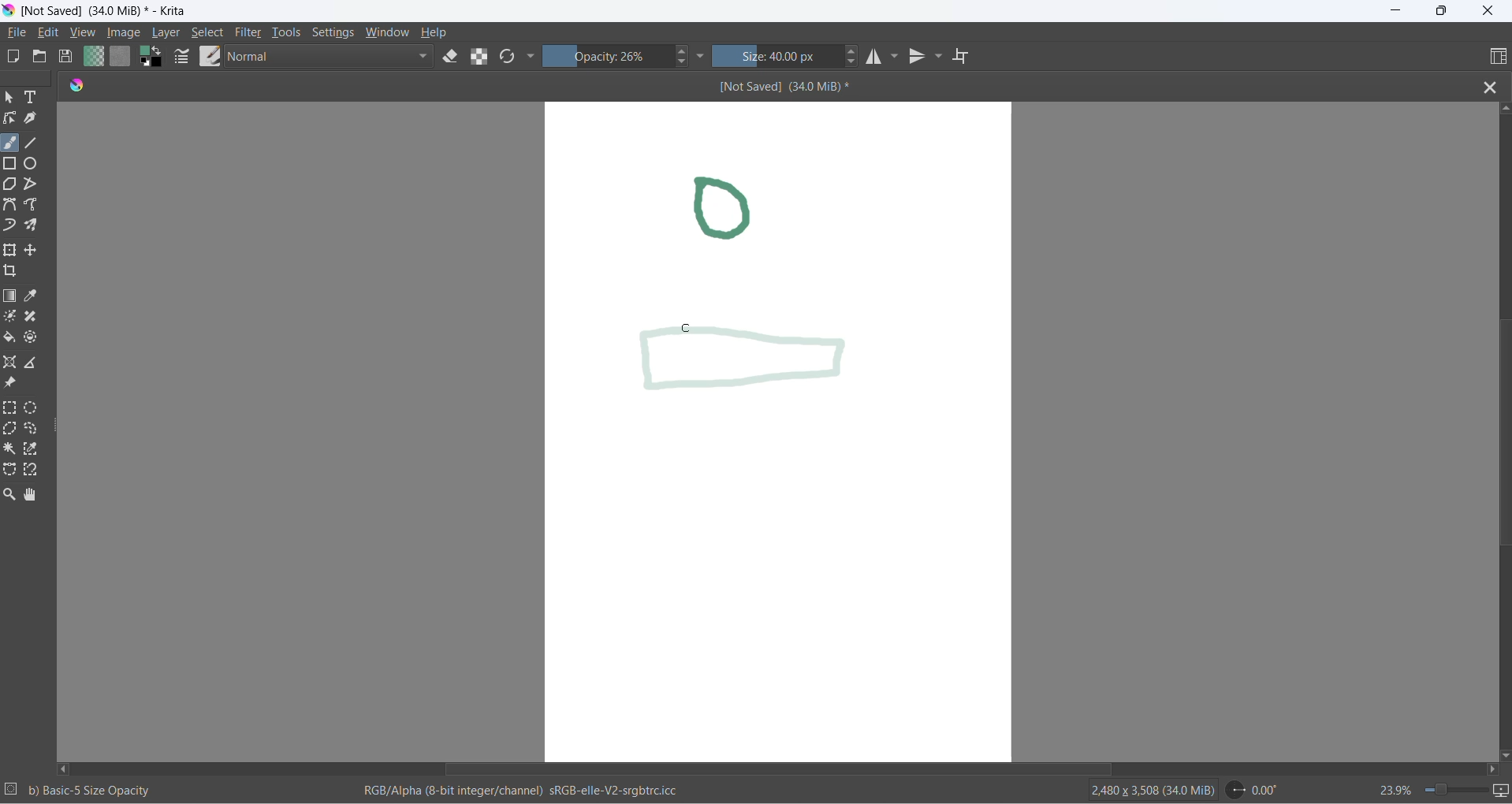 The height and width of the screenshot is (804, 1512). Describe the element at coordinates (333, 58) in the screenshot. I see `blending mode` at that location.